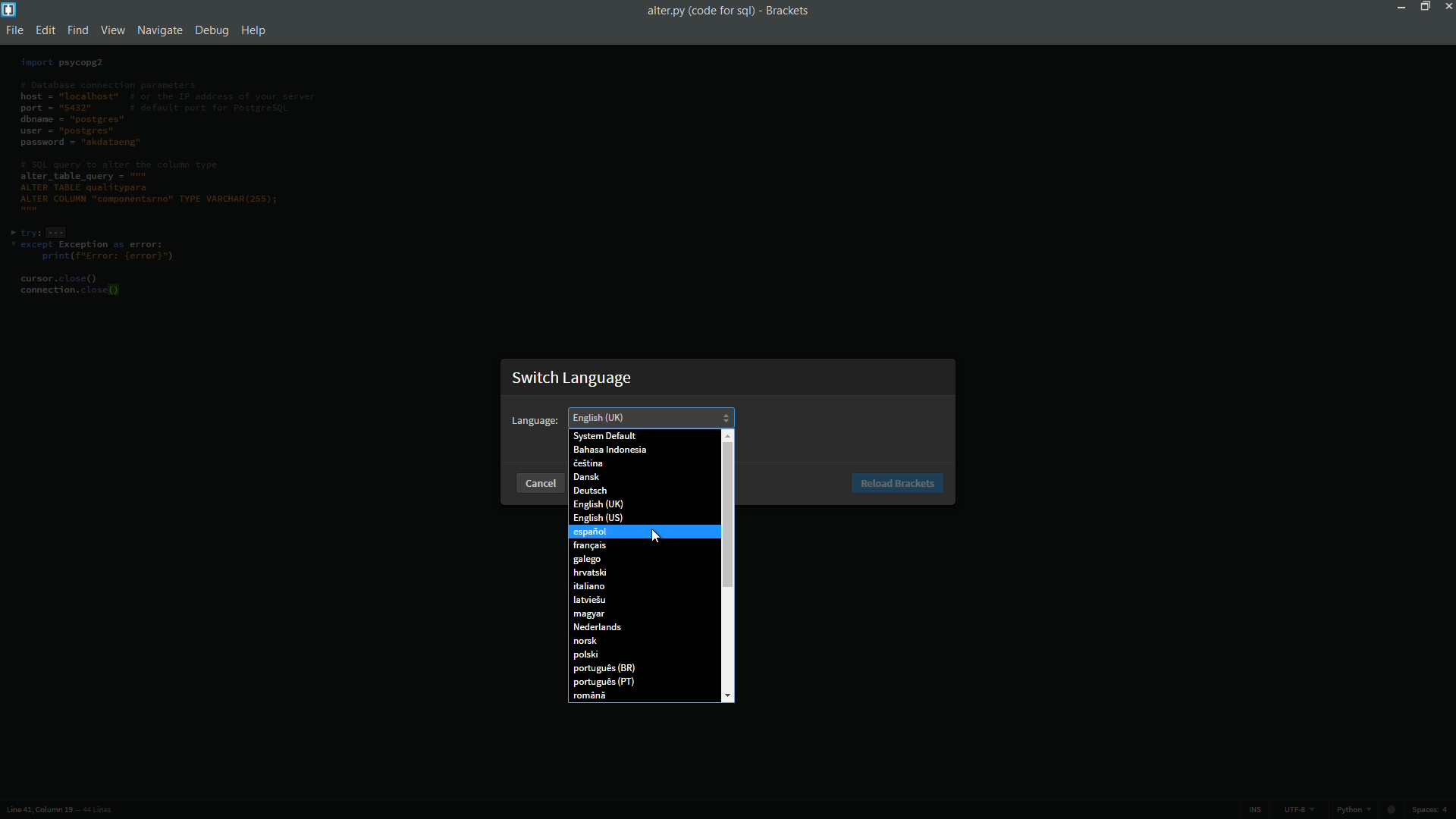 The image size is (1456, 819). What do you see at coordinates (644, 560) in the screenshot?
I see `galego` at bounding box center [644, 560].